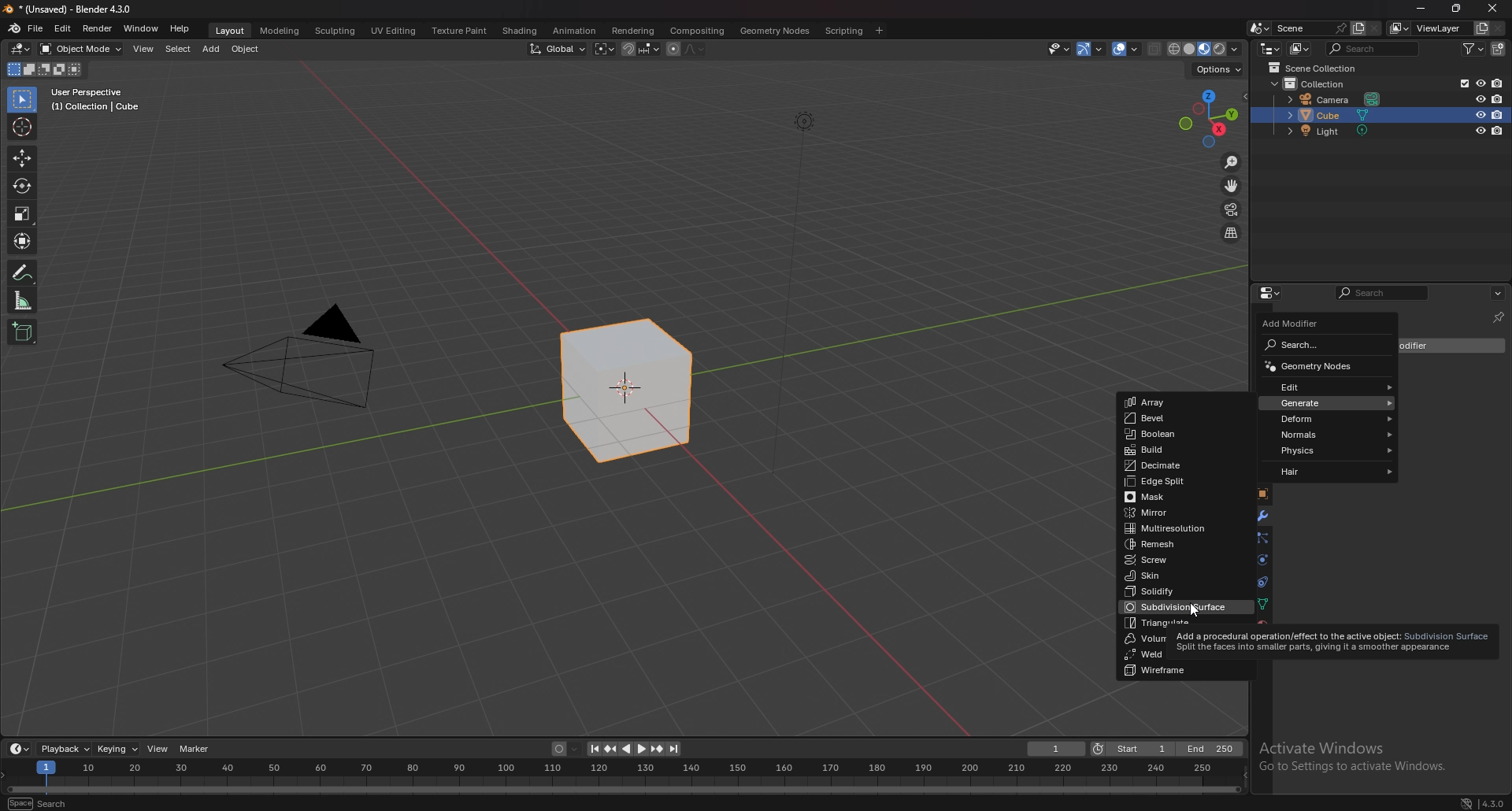 The image size is (1512, 811). What do you see at coordinates (24, 301) in the screenshot?
I see `measure` at bounding box center [24, 301].